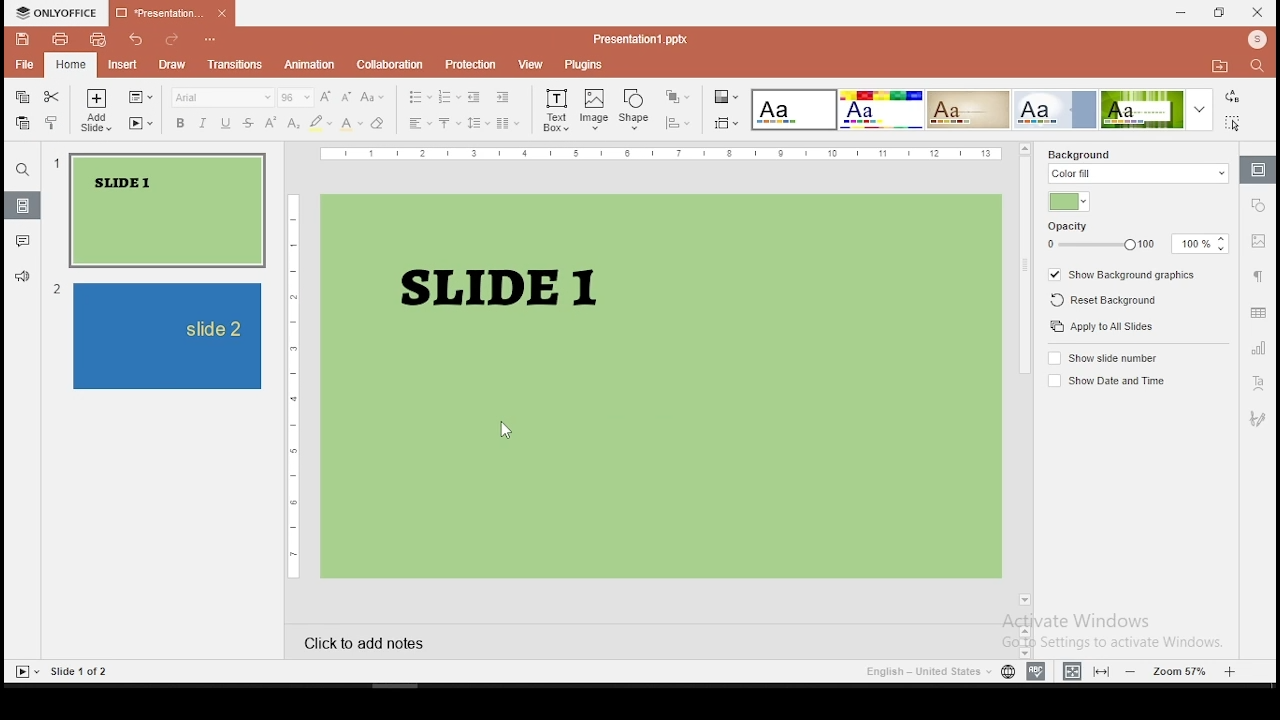 This screenshot has height=720, width=1280. Describe the element at coordinates (379, 123) in the screenshot. I see `clear formatting` at that location.